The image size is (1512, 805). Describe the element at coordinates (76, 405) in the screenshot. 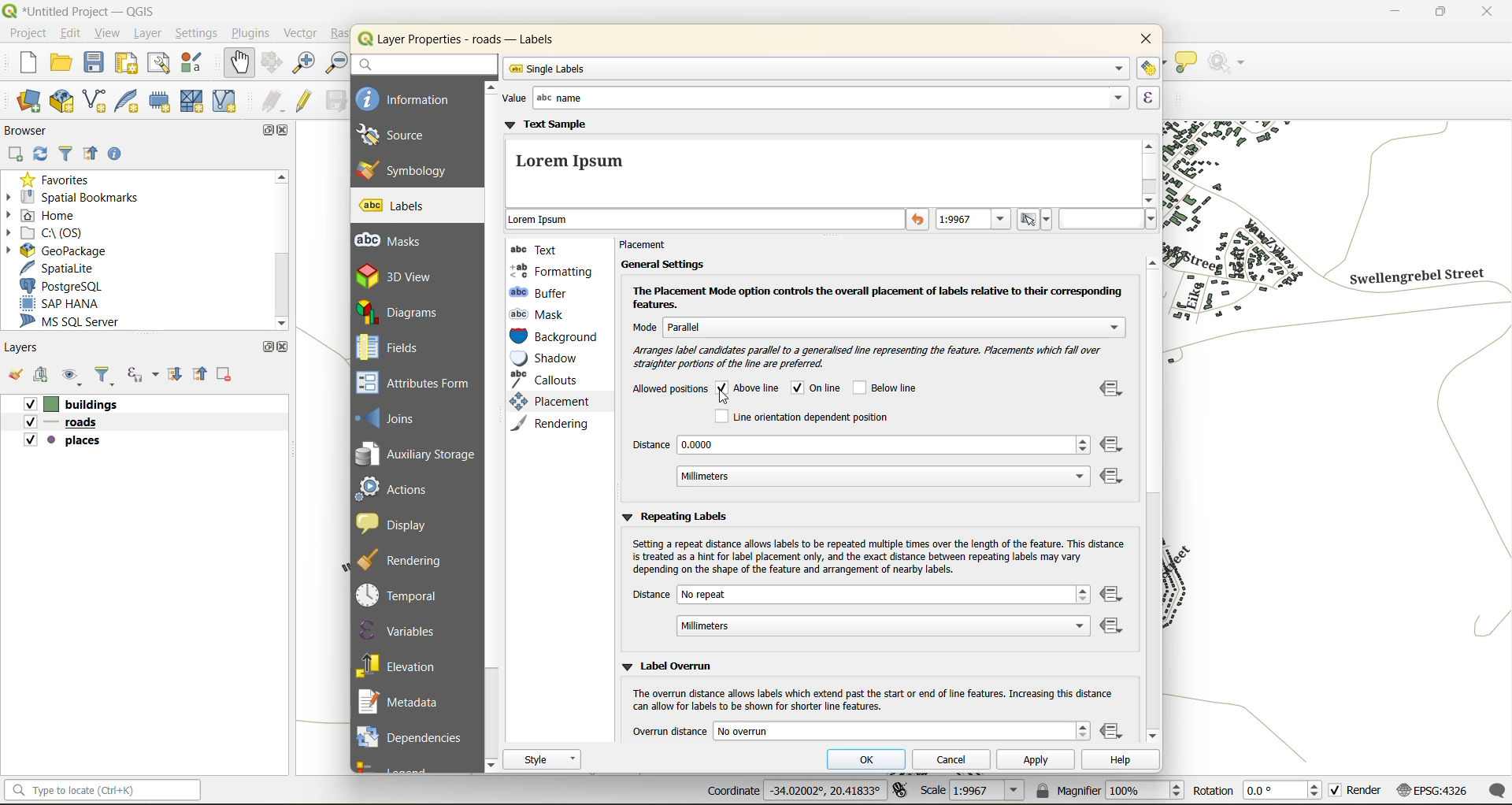

I see `buildings layer` at that location.